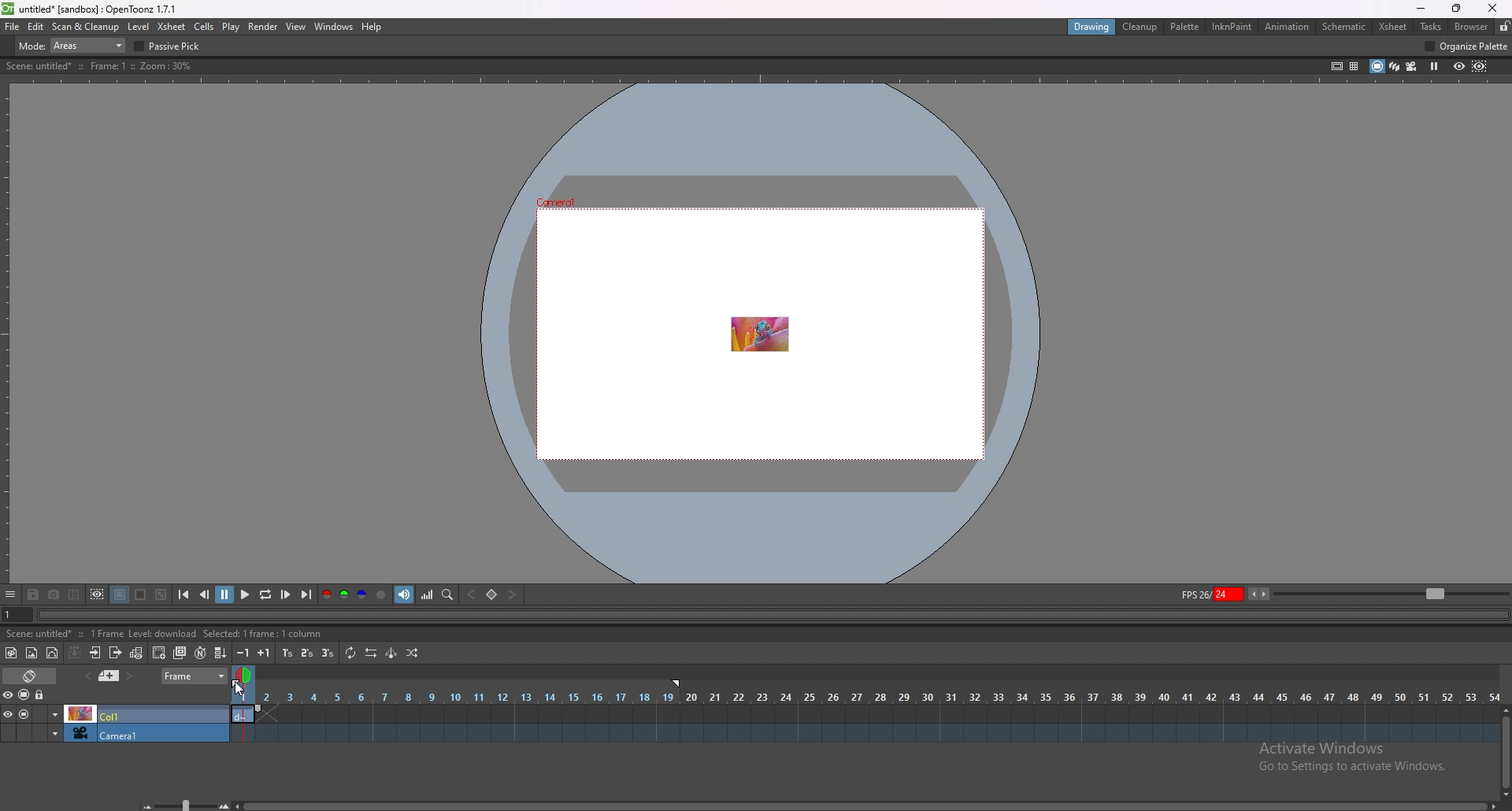 The image size is (1512, 811). Describe the element at coordinates (287, 594) in the screenshot. I see `next frame` at that location.